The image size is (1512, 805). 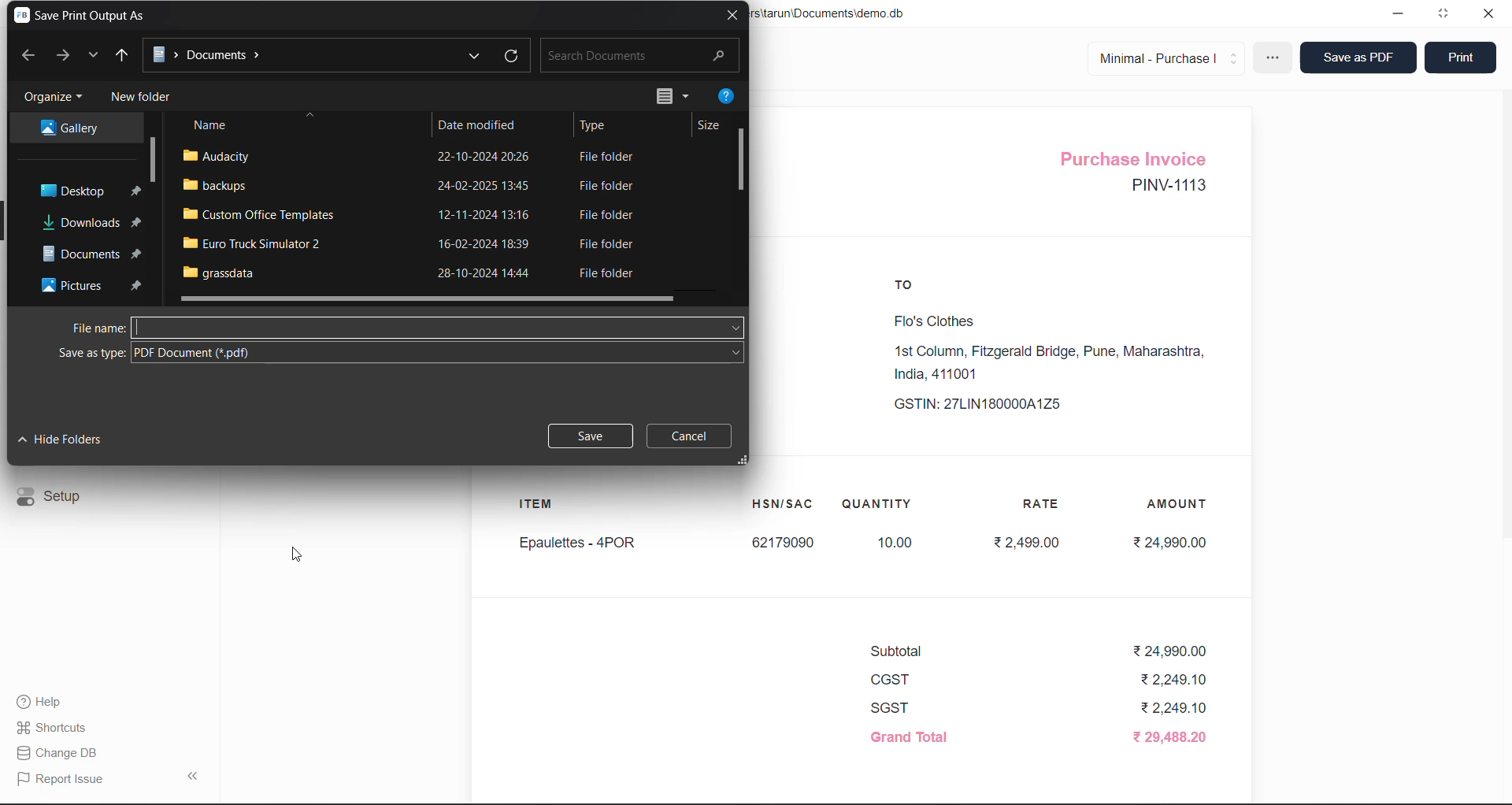 What do you see at coordinates (1488, 17) in the screenshot?
I see `close` at bounding box center [1488, 17].